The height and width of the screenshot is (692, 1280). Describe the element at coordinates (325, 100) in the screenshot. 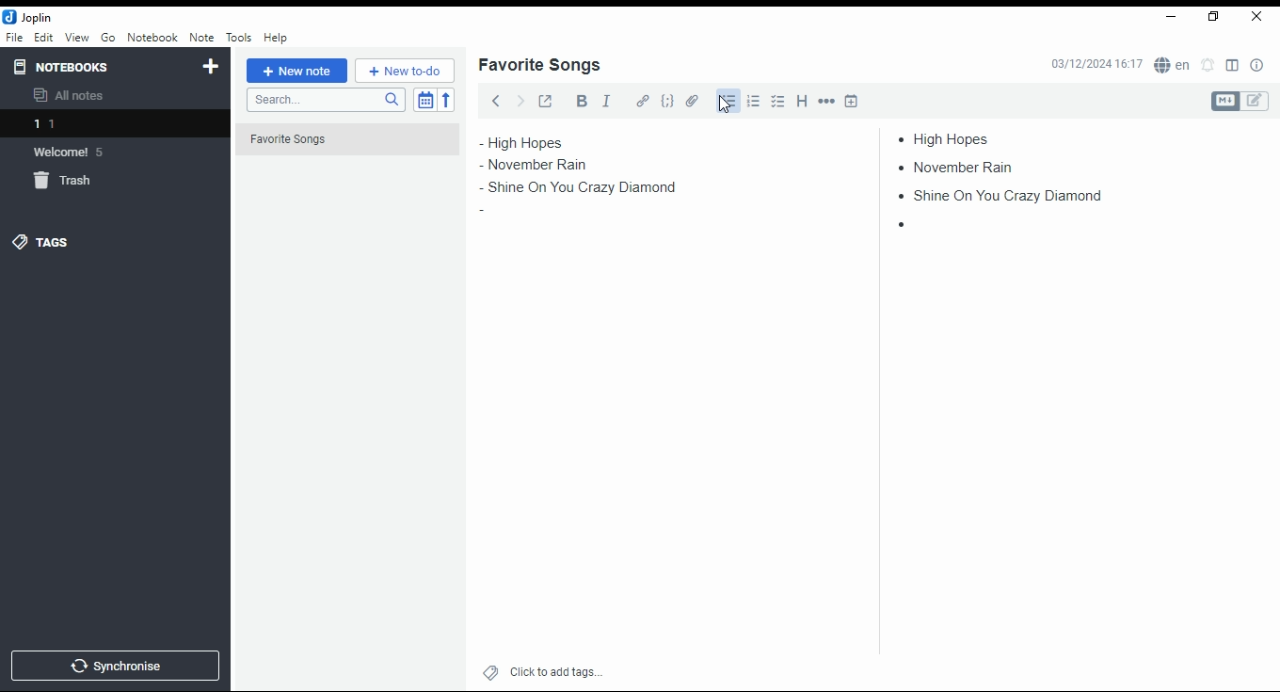

I see `search` at that location.